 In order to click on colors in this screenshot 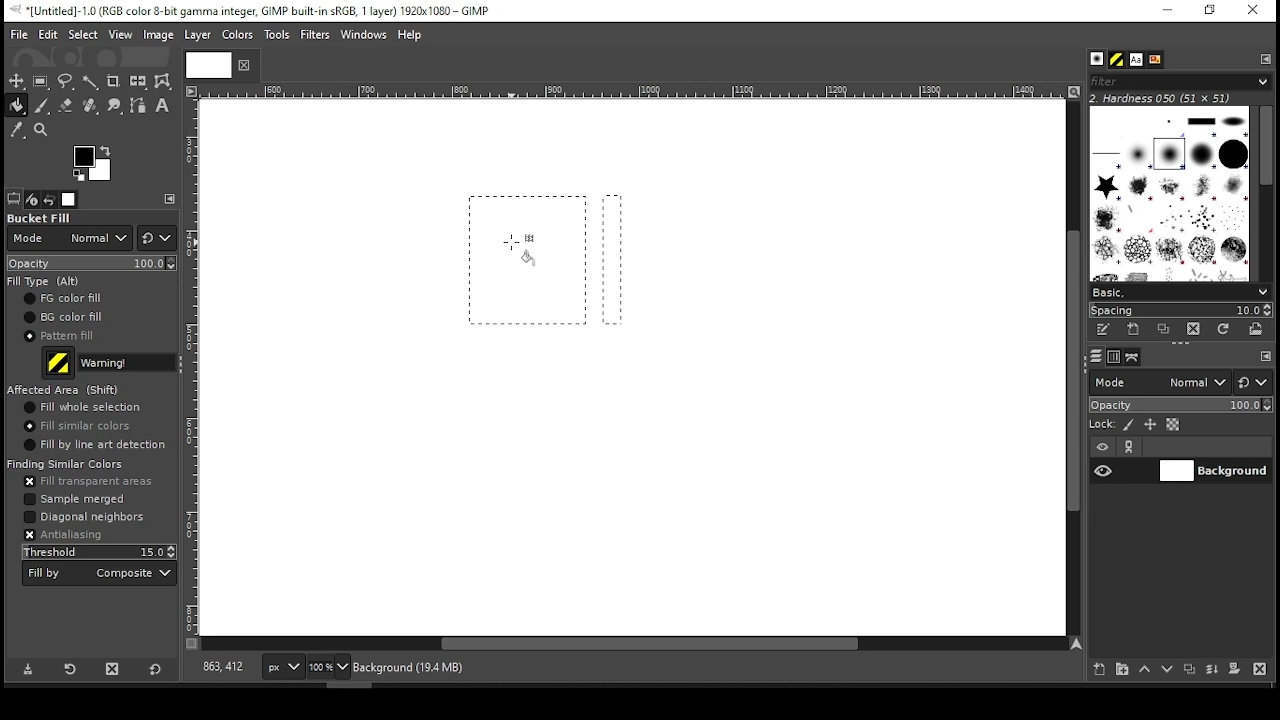, I will do `click(93, 163)`.